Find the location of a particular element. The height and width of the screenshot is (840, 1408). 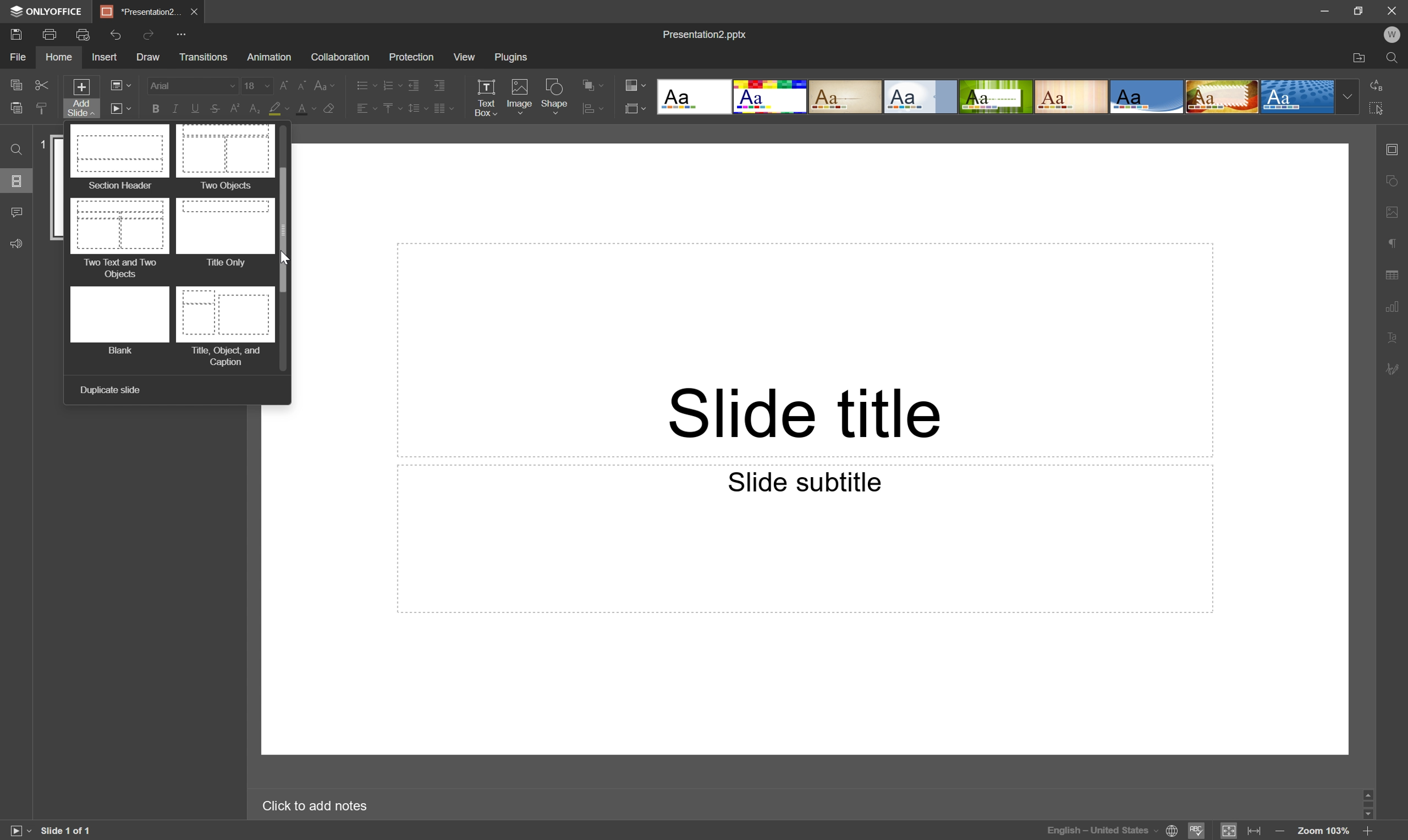

Set document language is located at coordinates (1173, 833).